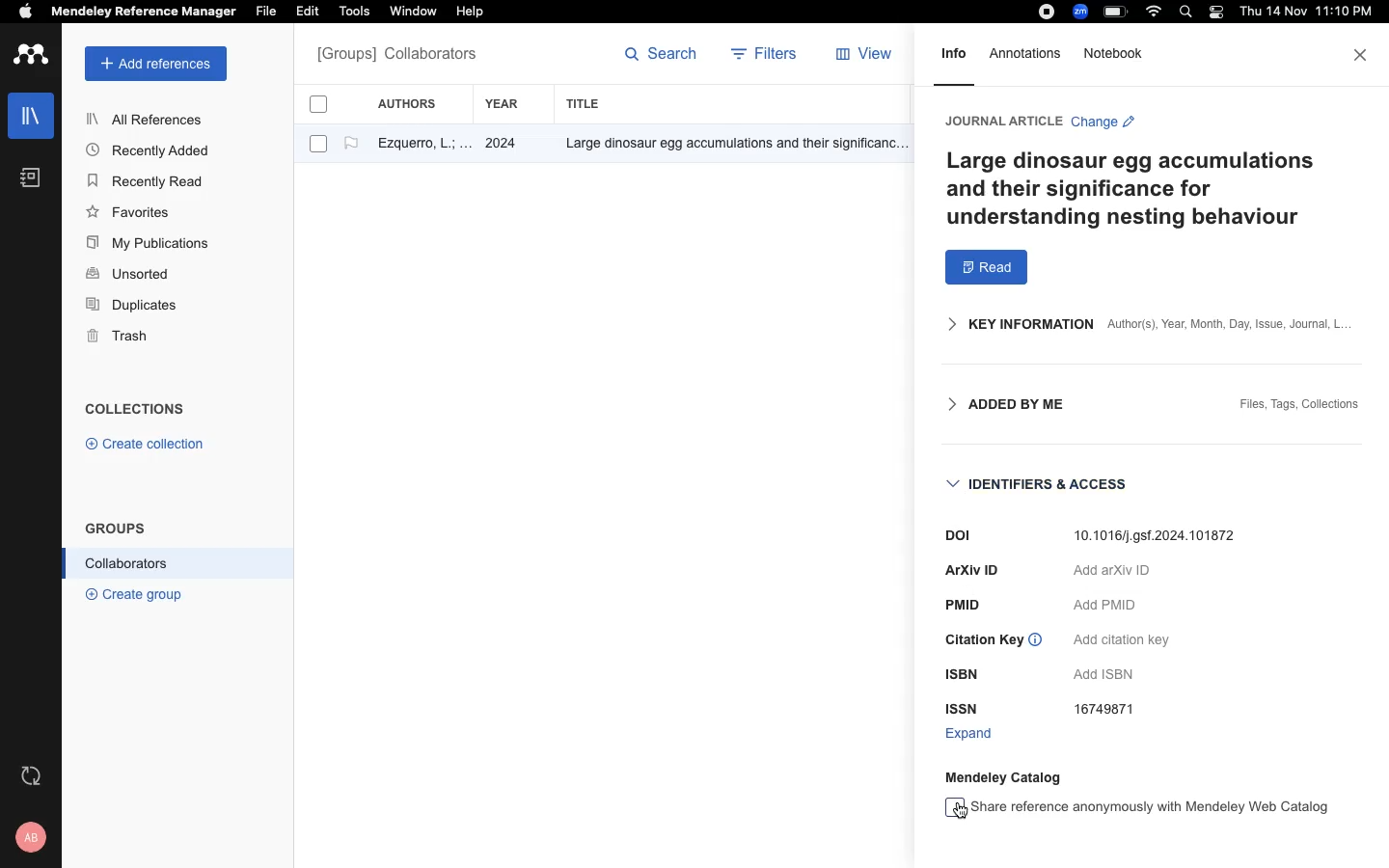 Image resolution: width=1389 pixels, height=868 pixels. What do you see at coordinates (468, 13) in the screenshot?
I see `Help` at bounding box center [468, 13].